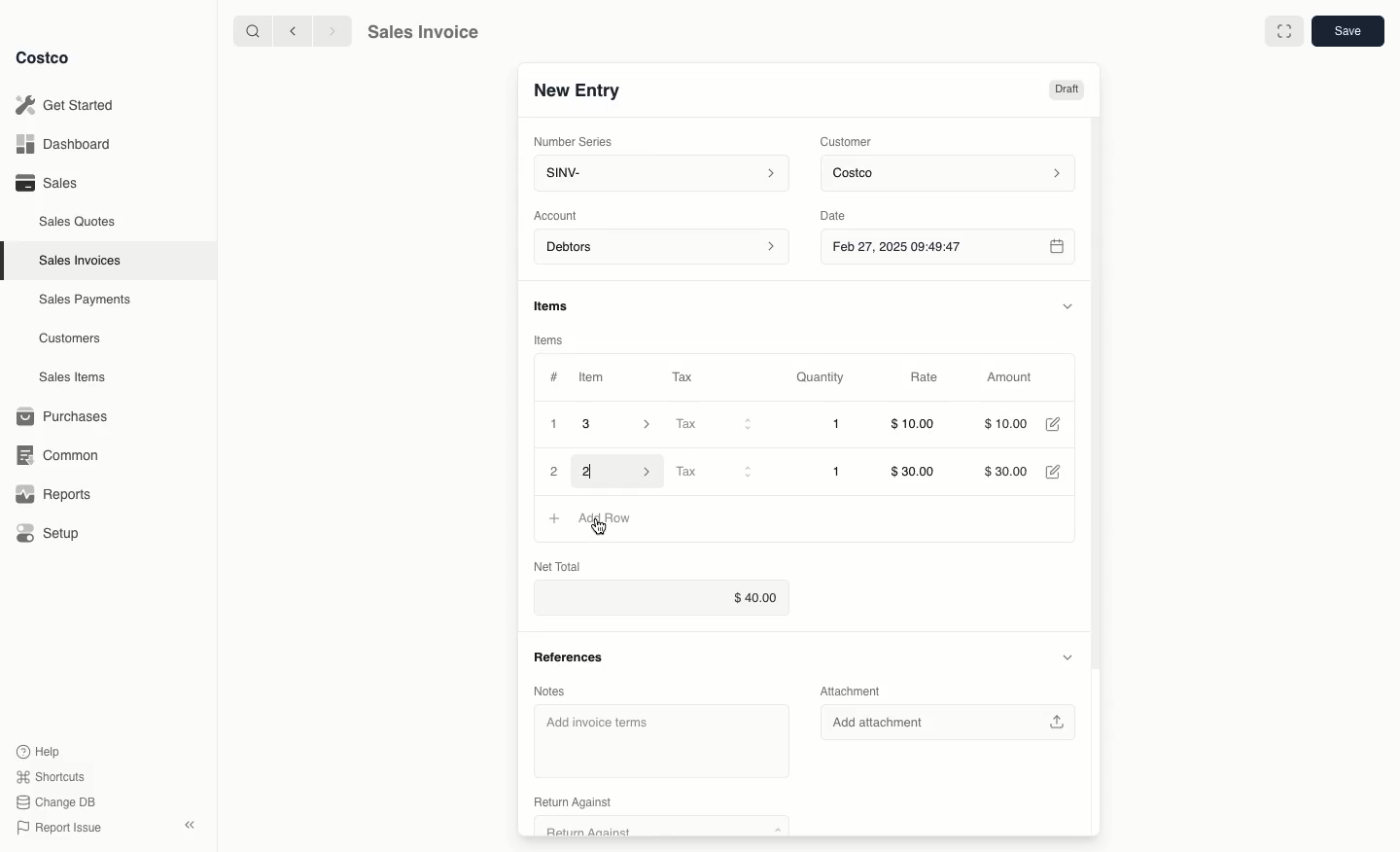 This screenshot has height=852, width=1400. Describe the element at coordinates (577, 90) in the screenshot. I see `New Entry` at that location.